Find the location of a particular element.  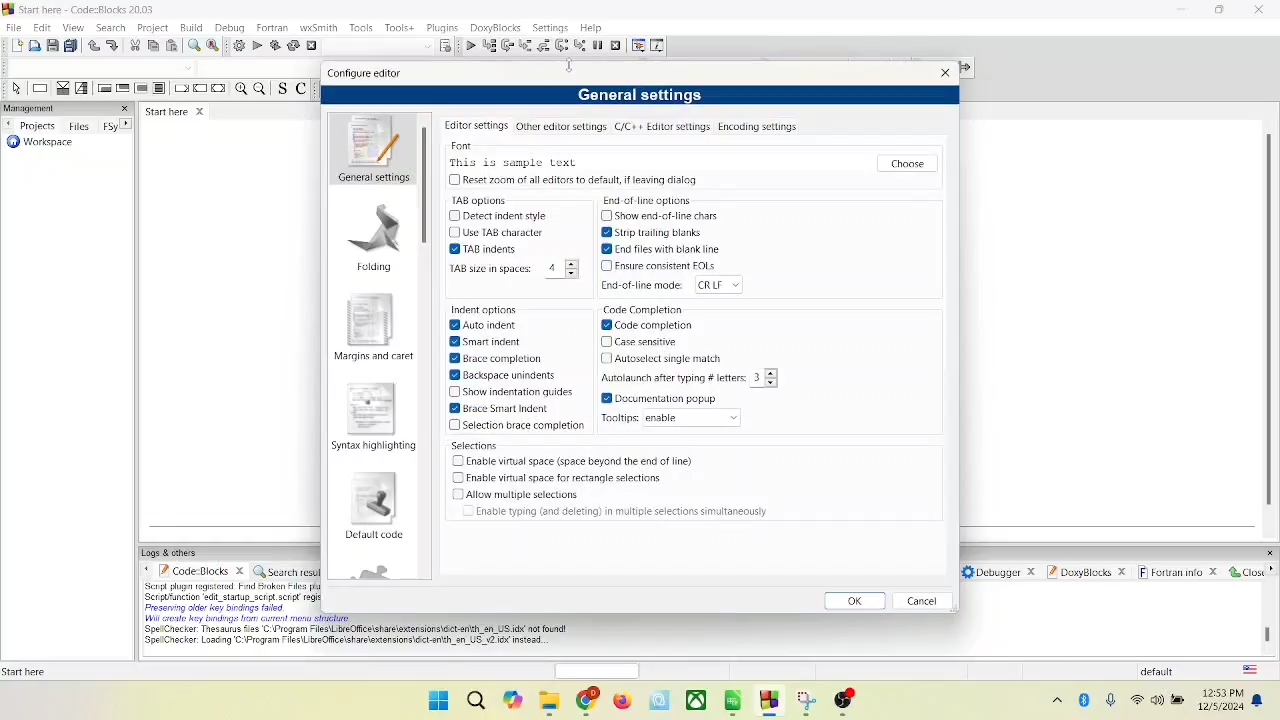

TAB indents is located at coordinates (480, 249).